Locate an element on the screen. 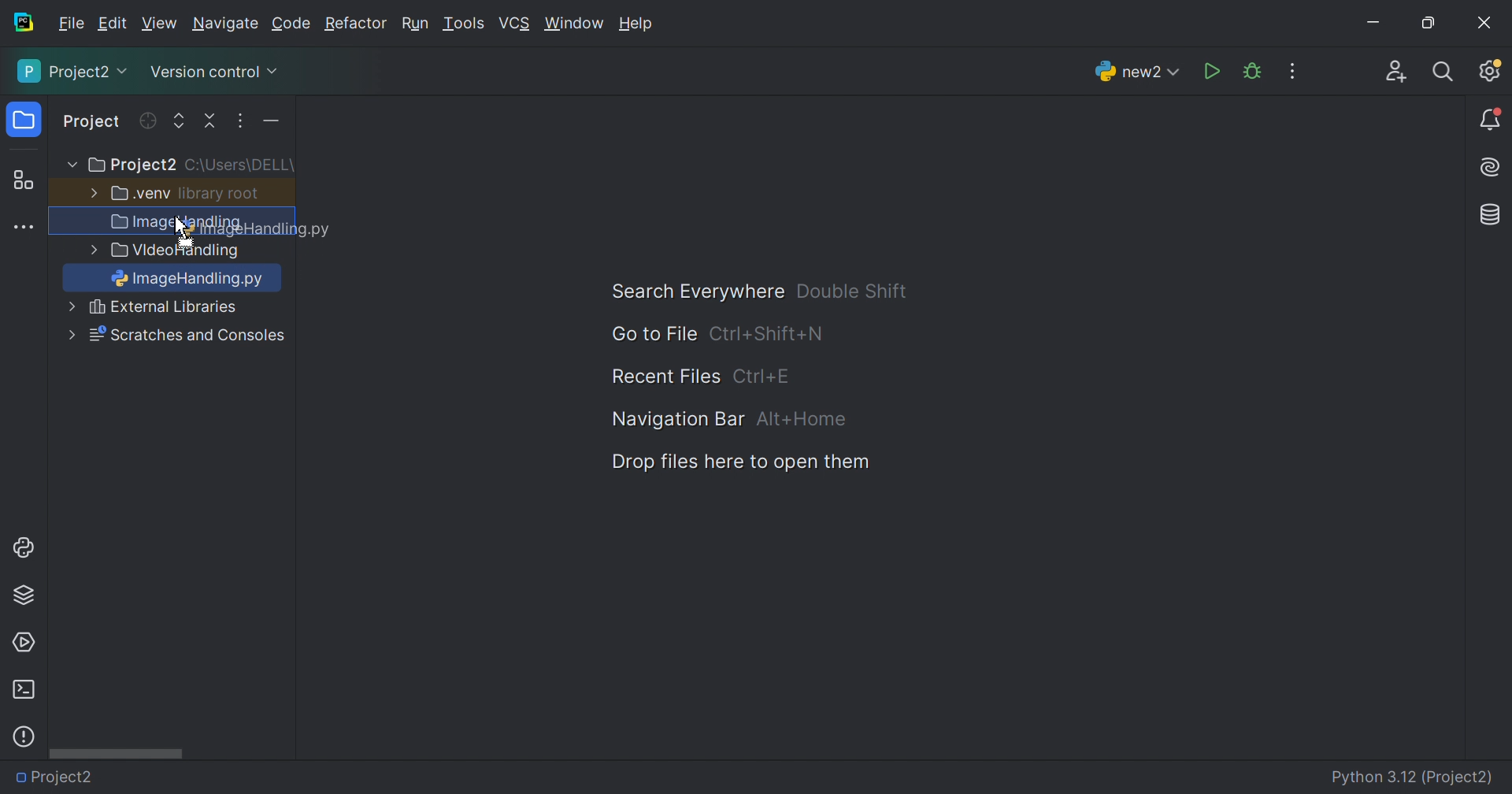  Ctrl+E is located at coordinates (762, 376).